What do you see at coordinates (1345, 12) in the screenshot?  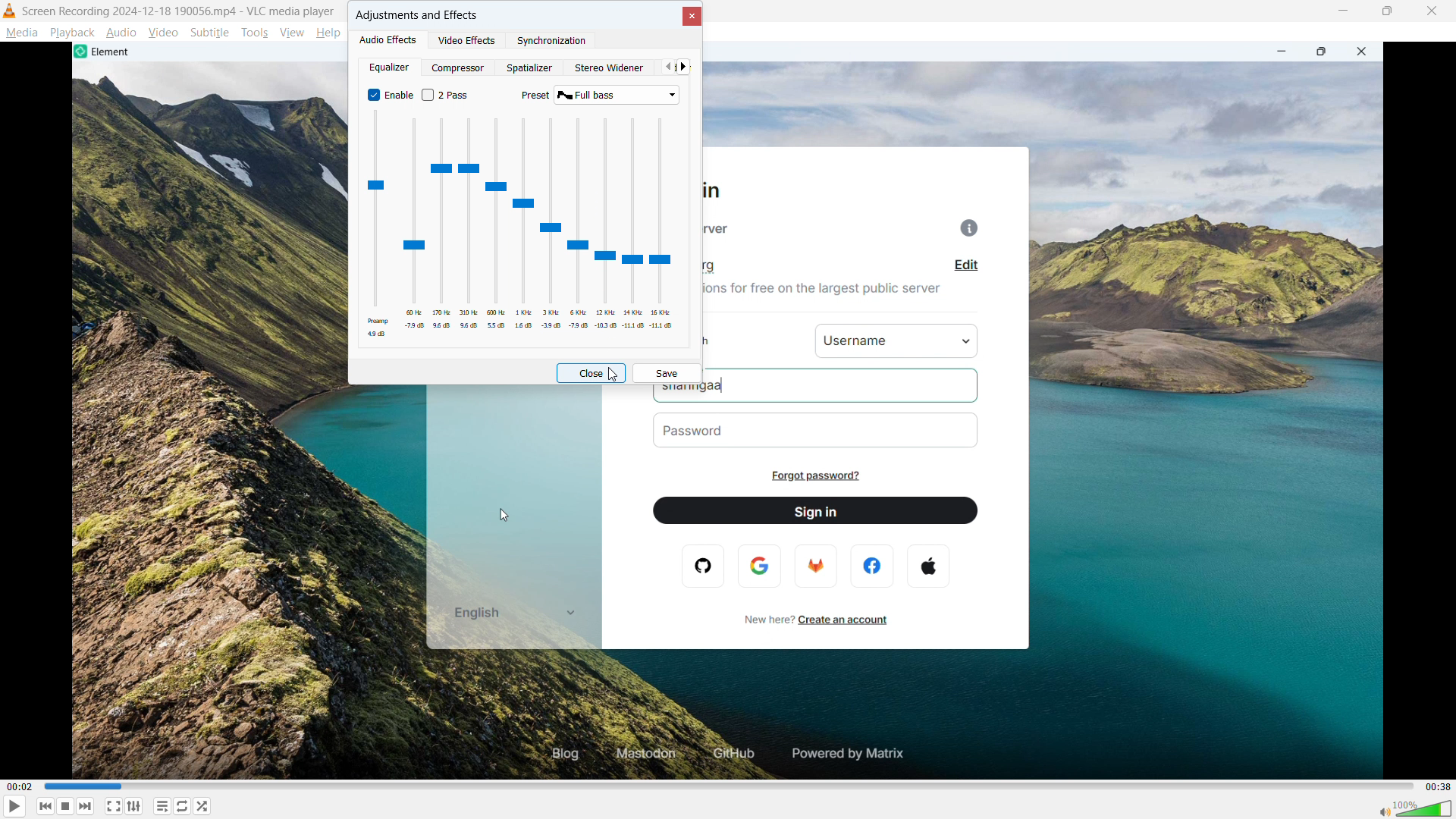 I see `minimize ` at bounding box center [1345, 12].